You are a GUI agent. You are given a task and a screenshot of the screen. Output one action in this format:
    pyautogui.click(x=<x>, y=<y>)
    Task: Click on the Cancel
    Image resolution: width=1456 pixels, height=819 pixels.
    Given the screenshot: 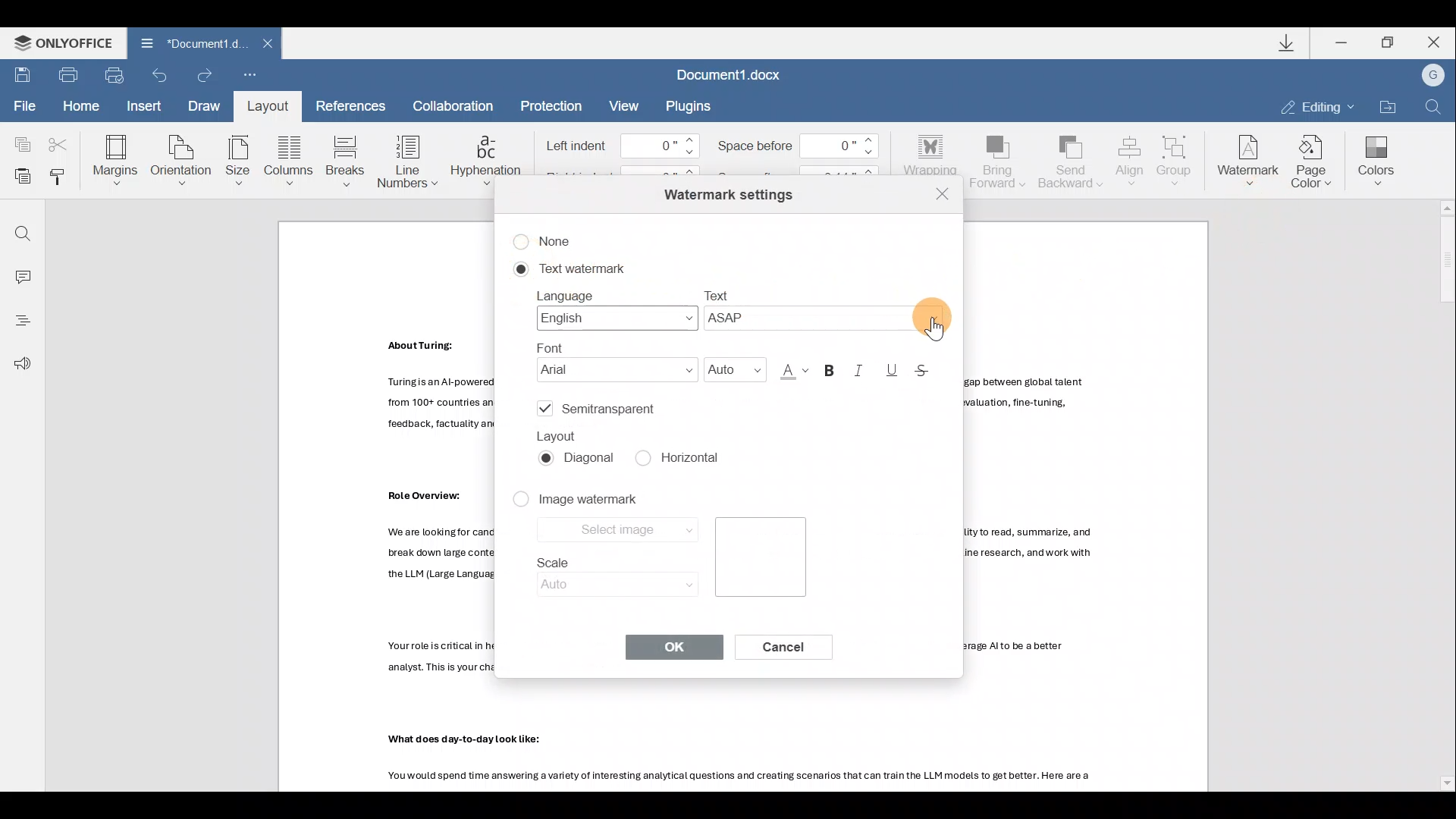 What is the action you would take?
    pyautogui.click(x=795, y=651)
    